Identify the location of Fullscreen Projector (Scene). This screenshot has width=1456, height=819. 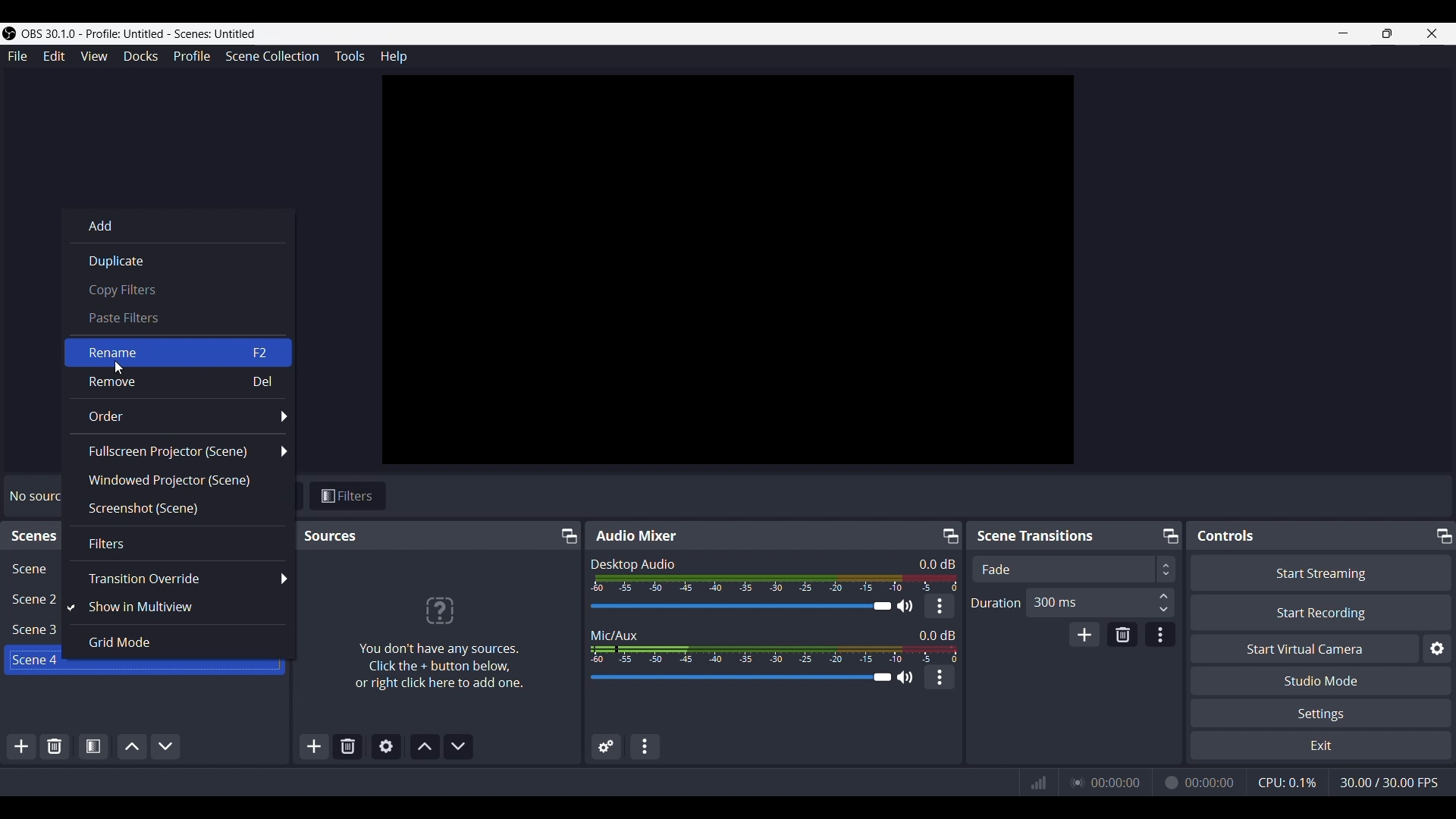
(188, 451).